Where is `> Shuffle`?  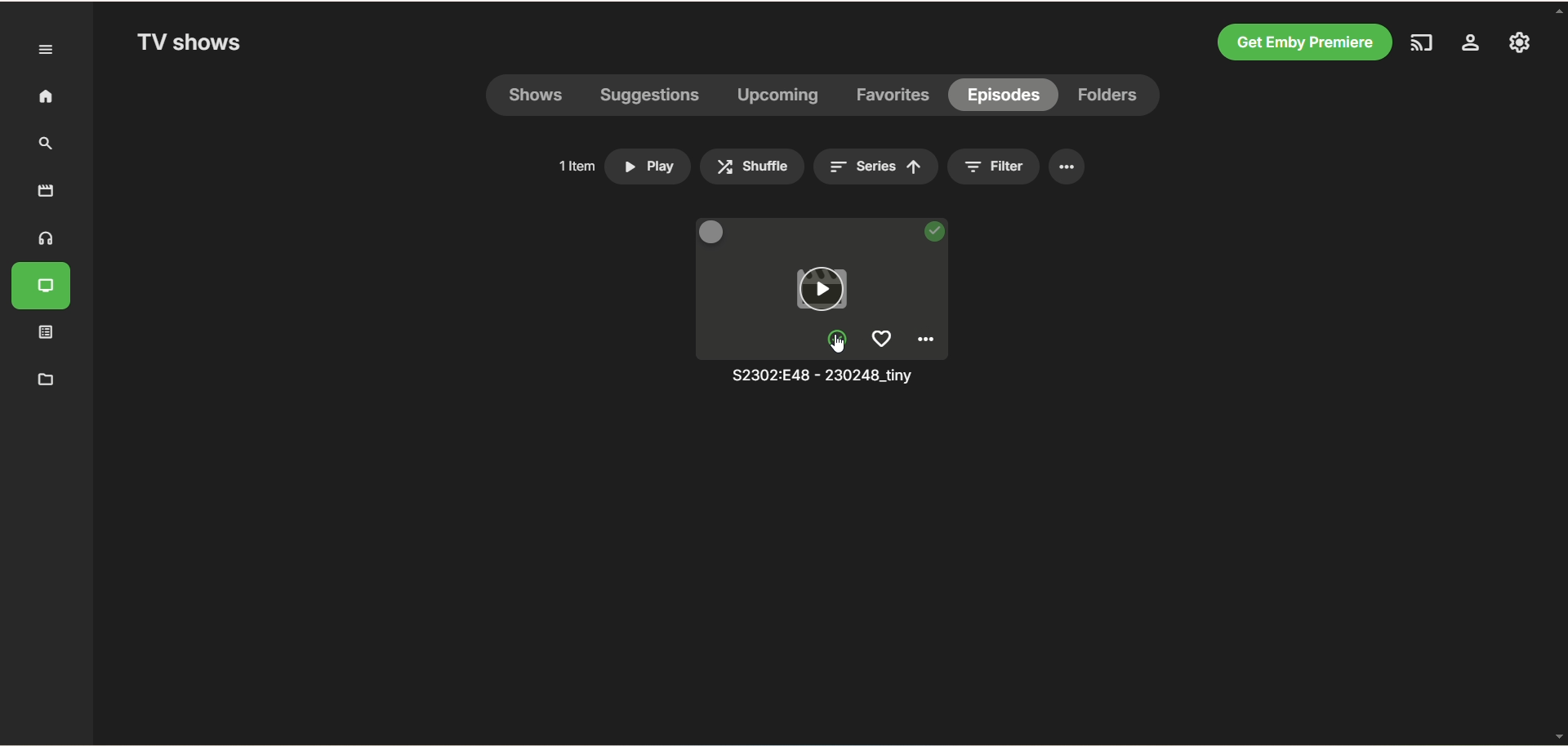 > Shuffle is located at coordinates (760, 166).